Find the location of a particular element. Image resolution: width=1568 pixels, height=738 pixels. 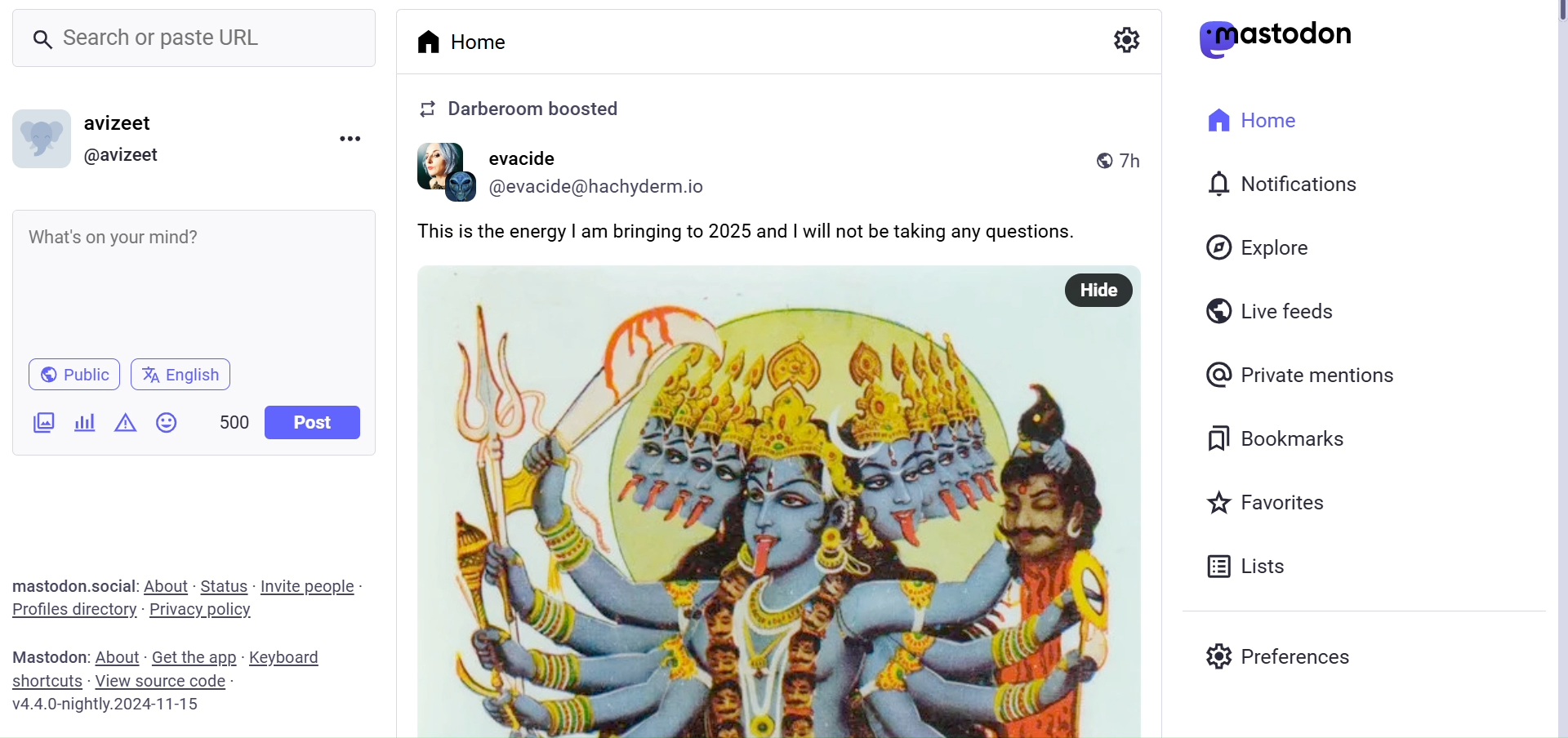

Logo is located at coordinates (1276, 38).